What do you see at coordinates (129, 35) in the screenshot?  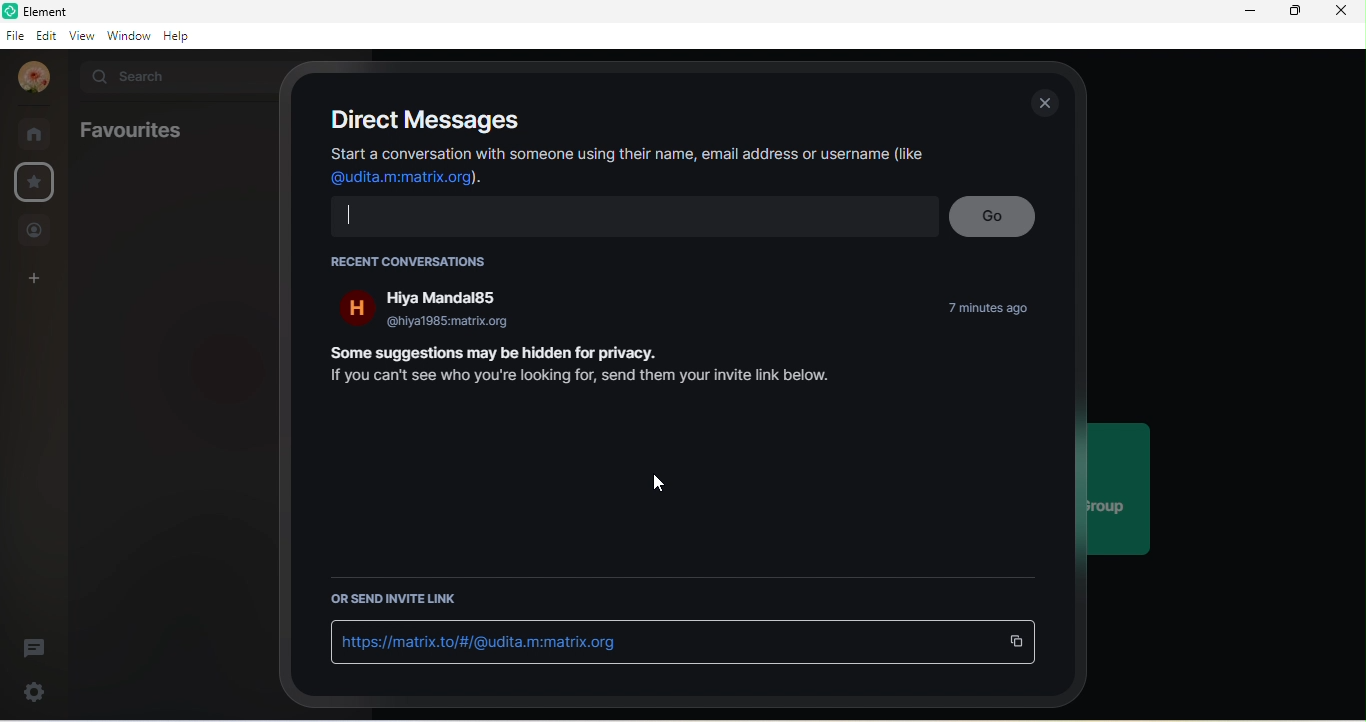 I see `window` at bounding box center [129, 35].